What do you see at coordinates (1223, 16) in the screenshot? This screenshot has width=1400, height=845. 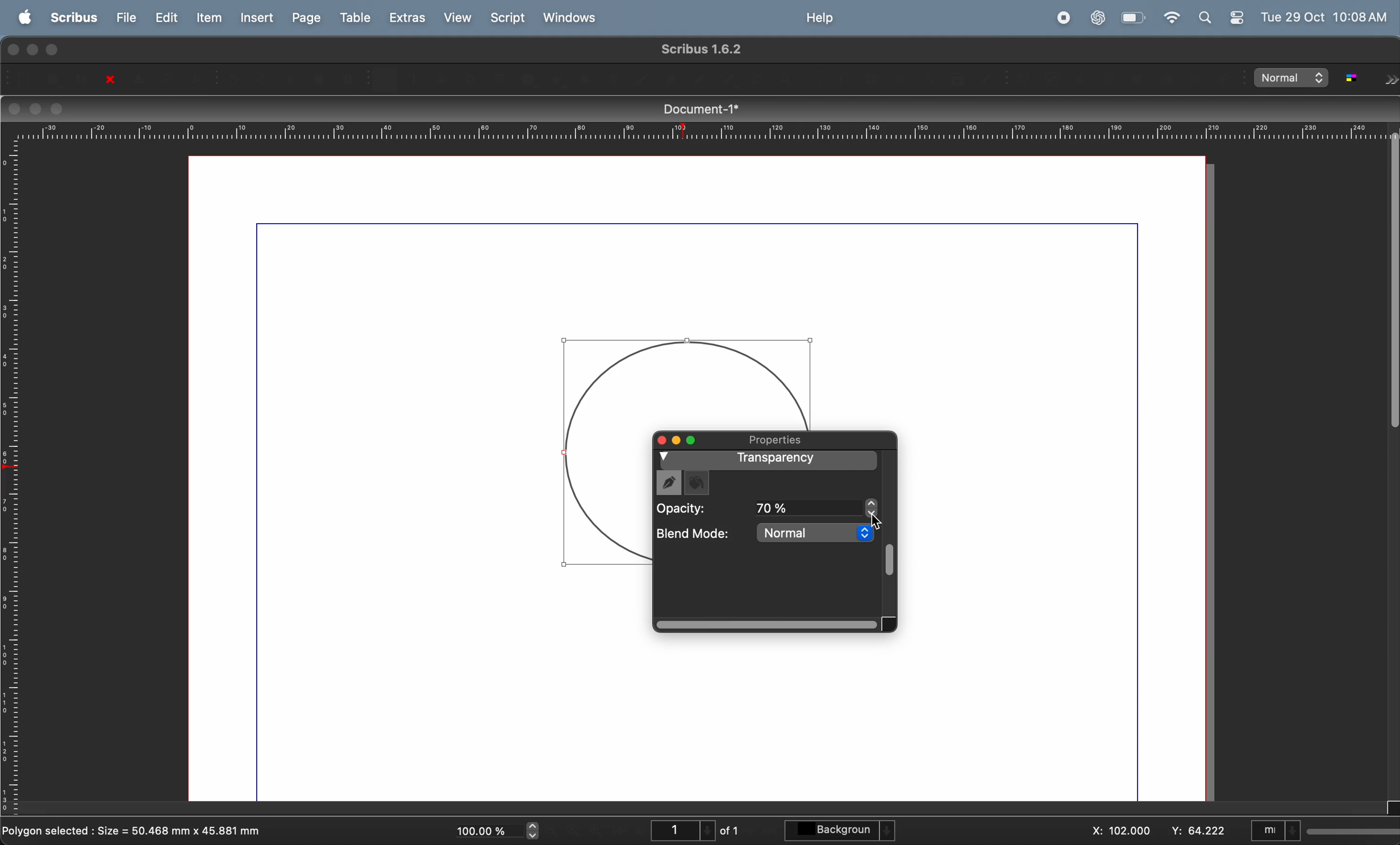 I see `apple widgets` at bounding box center [1223, 16].